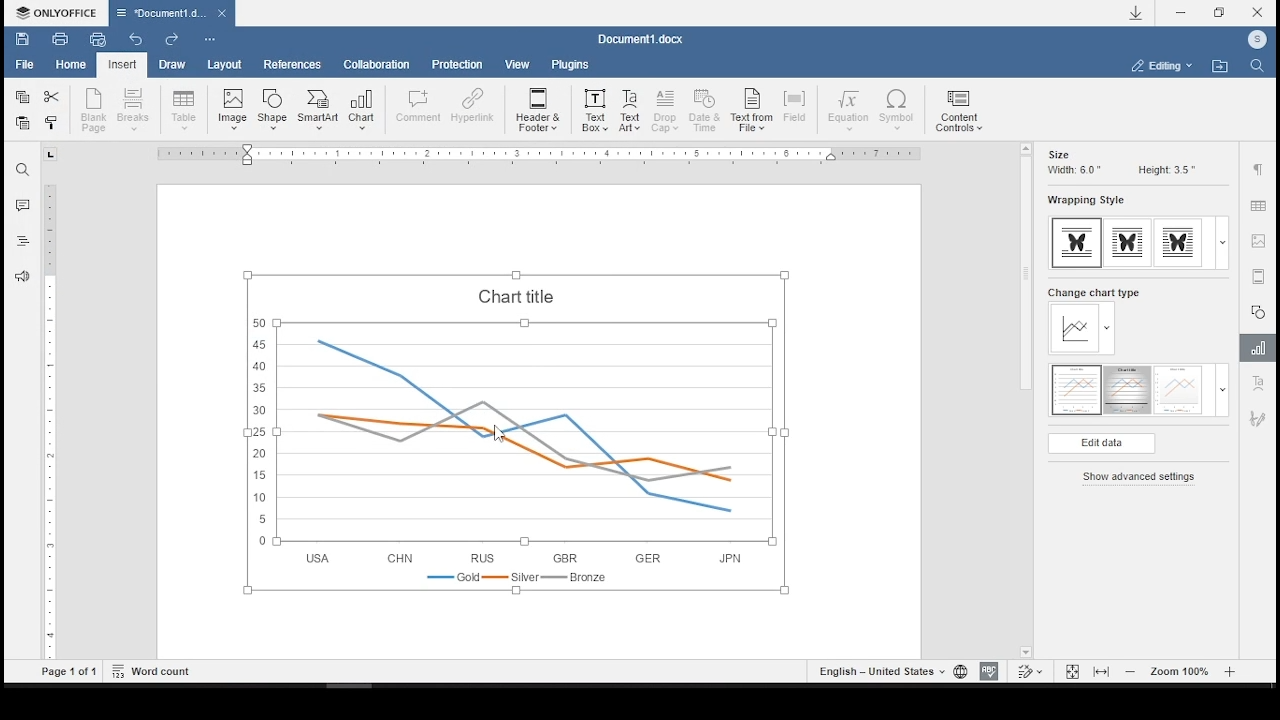  What do you see at coordinates (1084, 201) in the screenshot?
I see `wrapping style` at bounding box center [1084, 201].